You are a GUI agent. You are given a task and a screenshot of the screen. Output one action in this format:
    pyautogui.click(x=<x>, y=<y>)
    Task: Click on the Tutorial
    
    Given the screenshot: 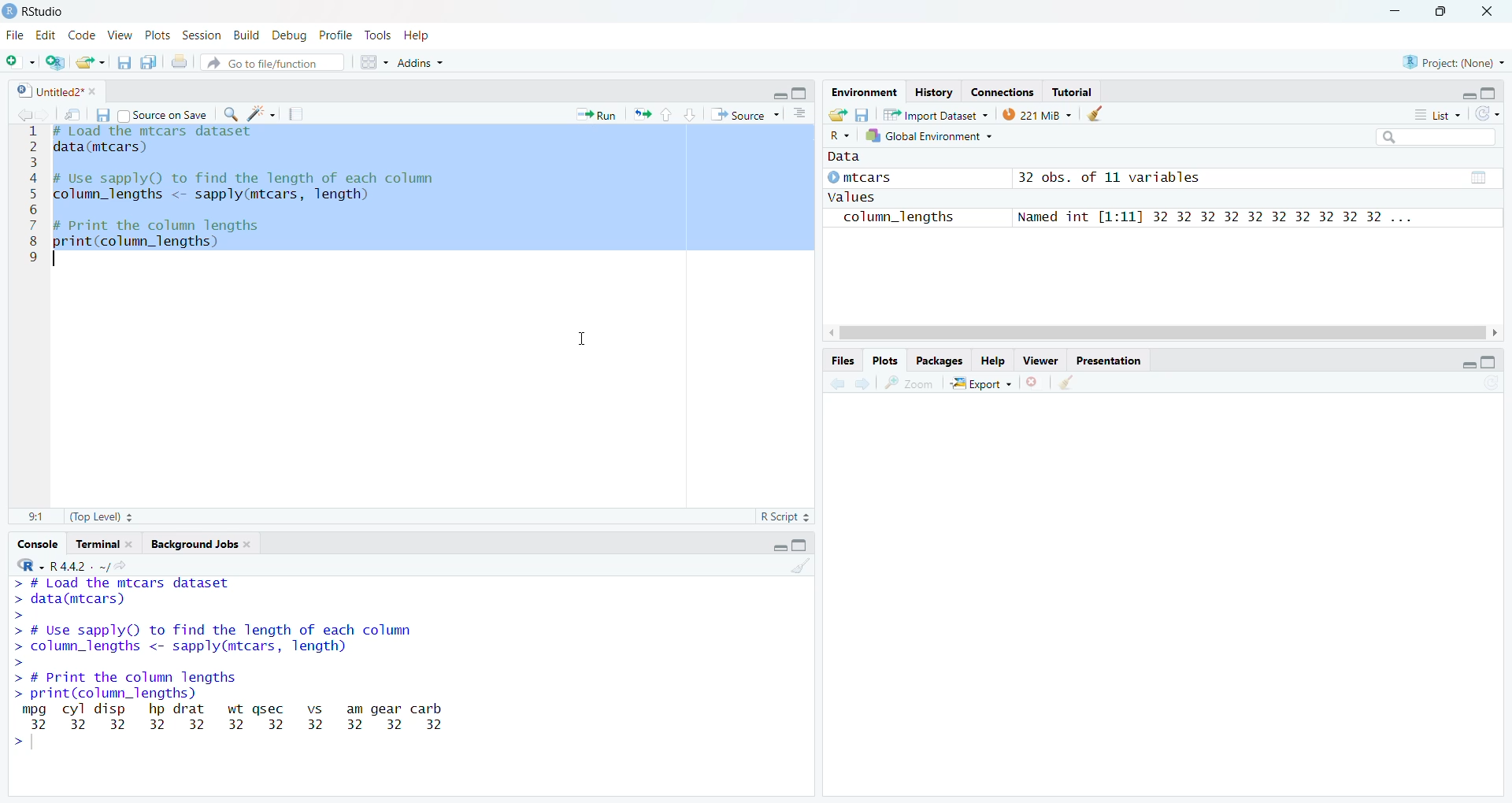 What is the action you would take?
    pyautogui.click(x=1071, y=91)
    